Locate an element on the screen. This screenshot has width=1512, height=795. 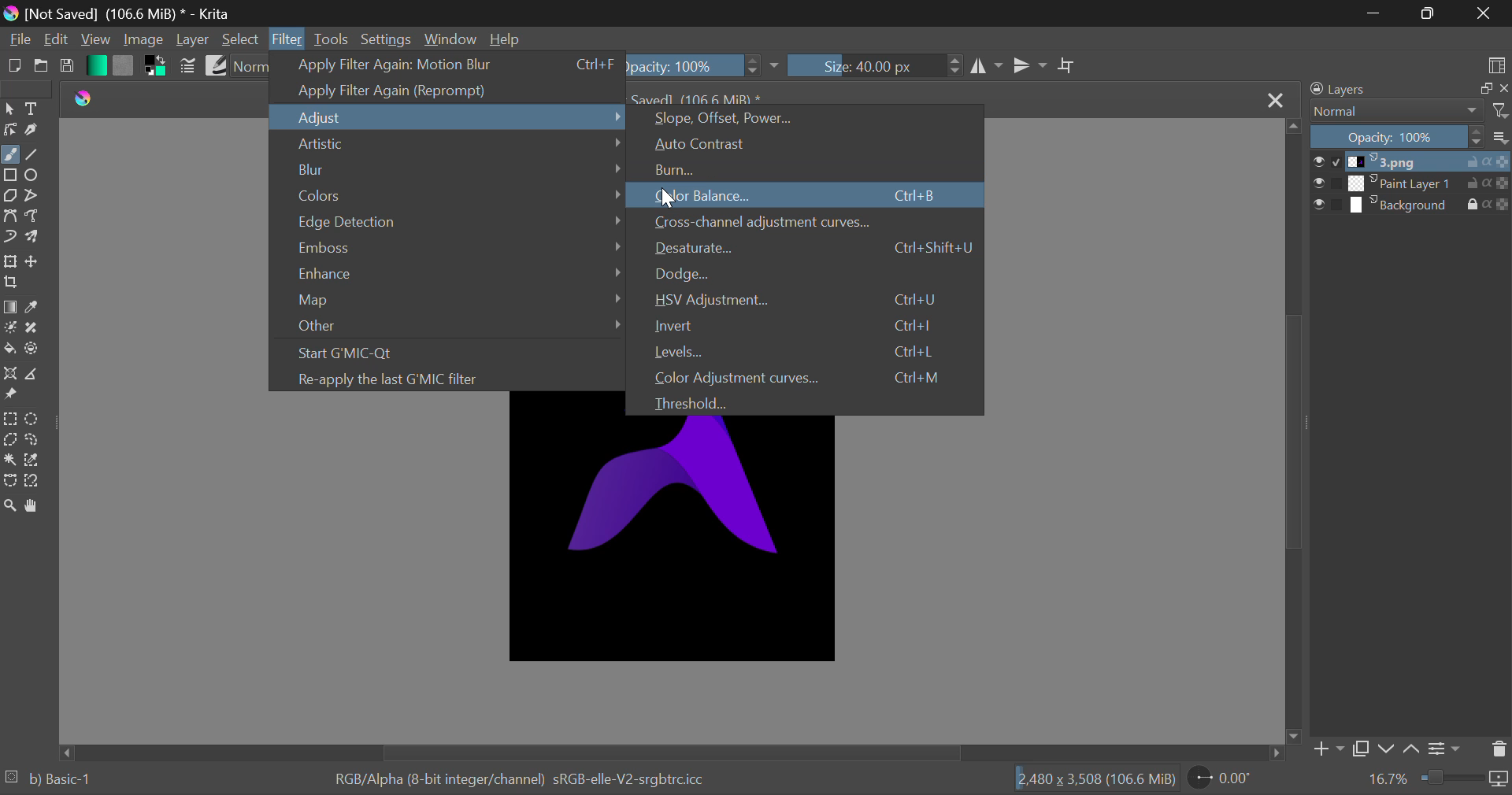
Horizontal Mirror Flip is located at coordinates (1030, 65).